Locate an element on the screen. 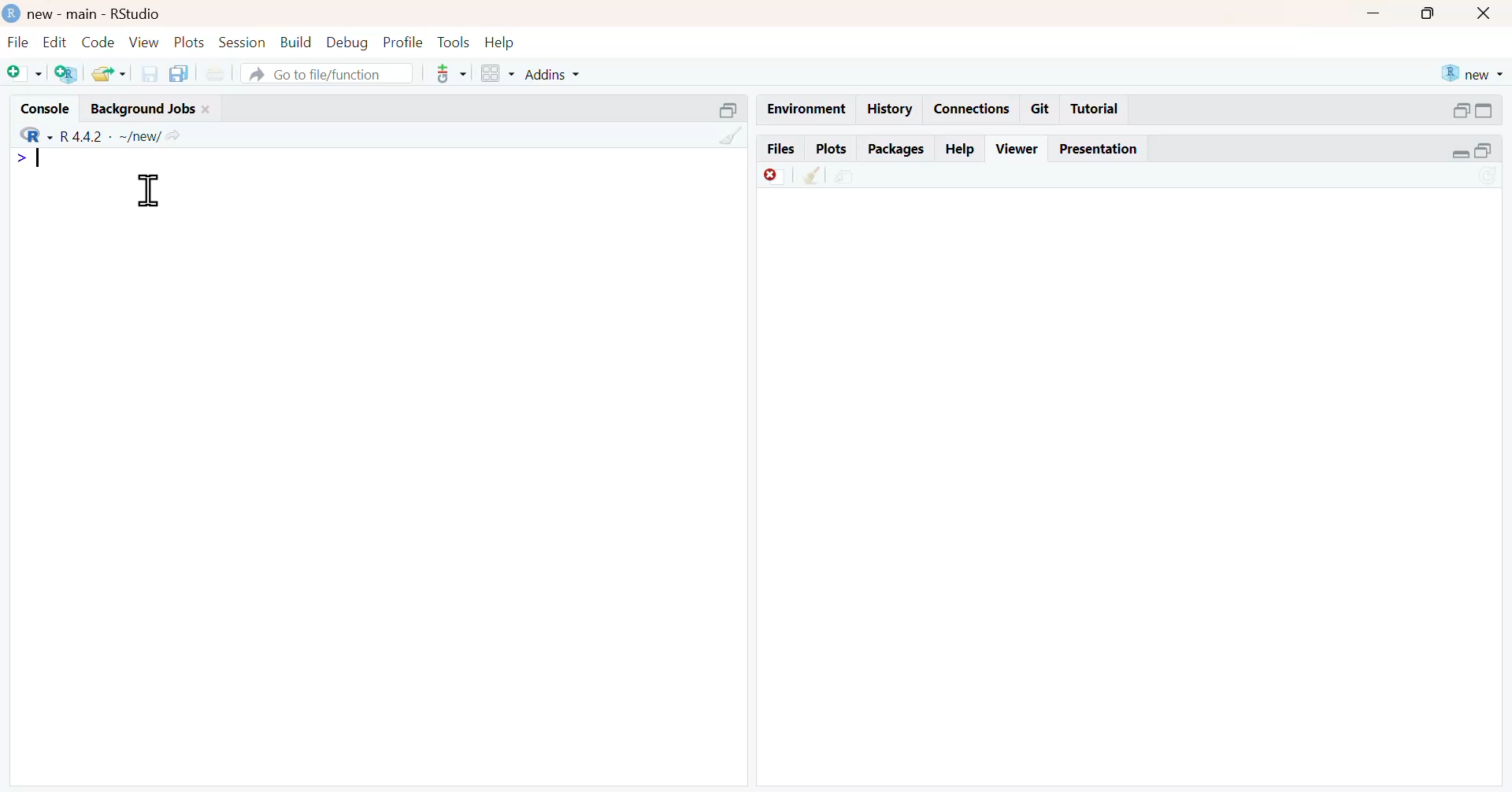 The height and width of the screenshot is (792, 1512). new is located at coordinates (1472, 73).